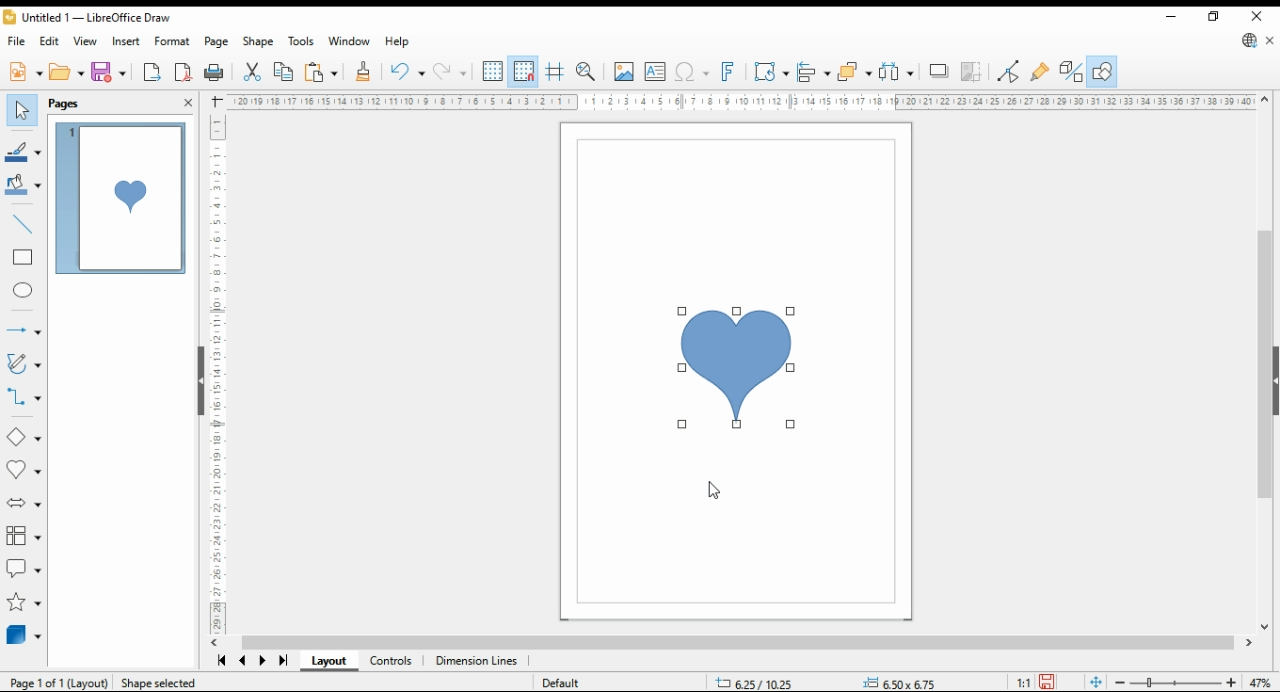 This screenshot has width=1280, height=692. What do you see at coordinates (563, 678) in the screenshot?
I see `Default` at bounding box center [563, 678].